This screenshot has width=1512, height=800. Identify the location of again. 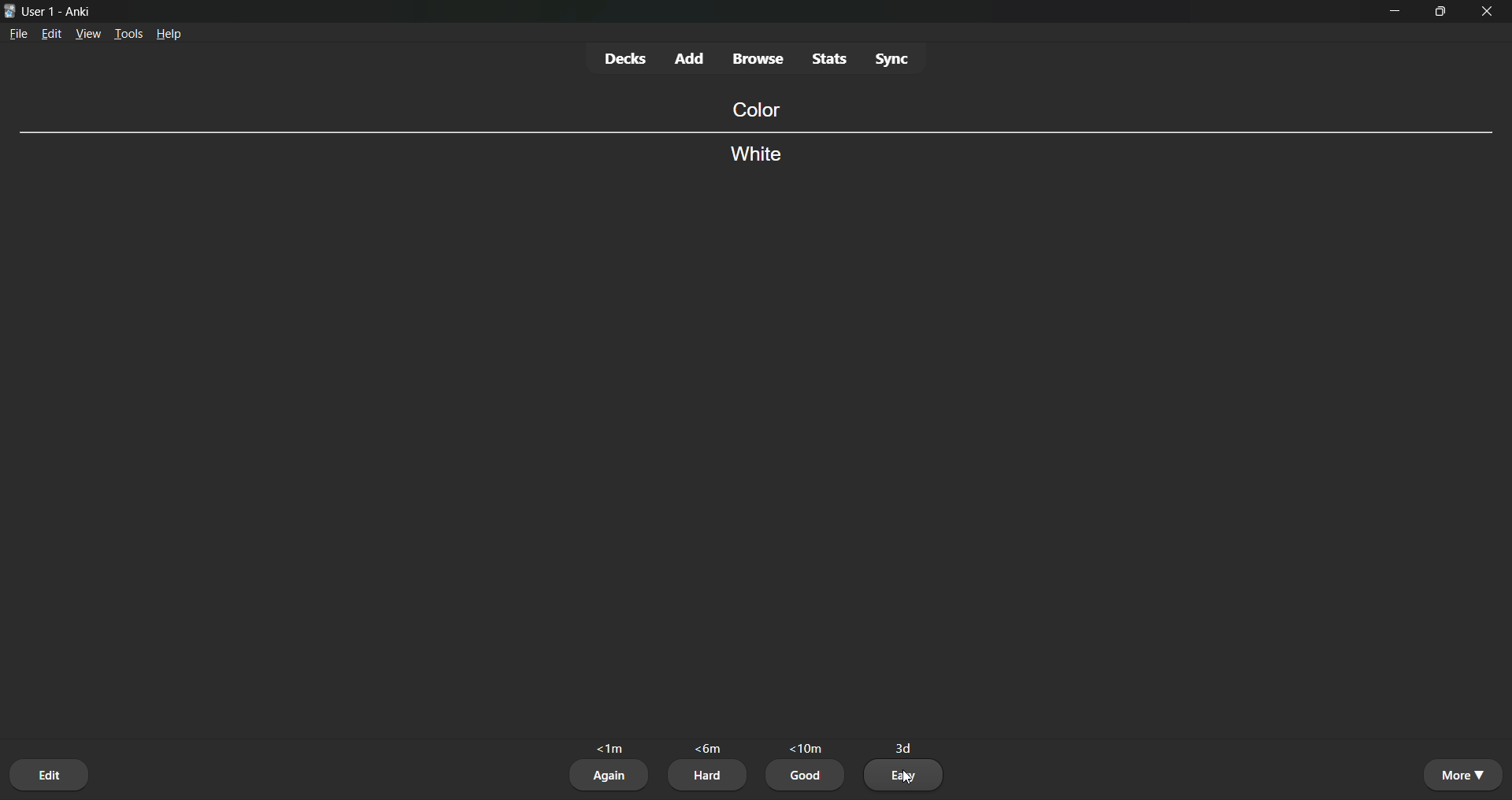
(610, 776).